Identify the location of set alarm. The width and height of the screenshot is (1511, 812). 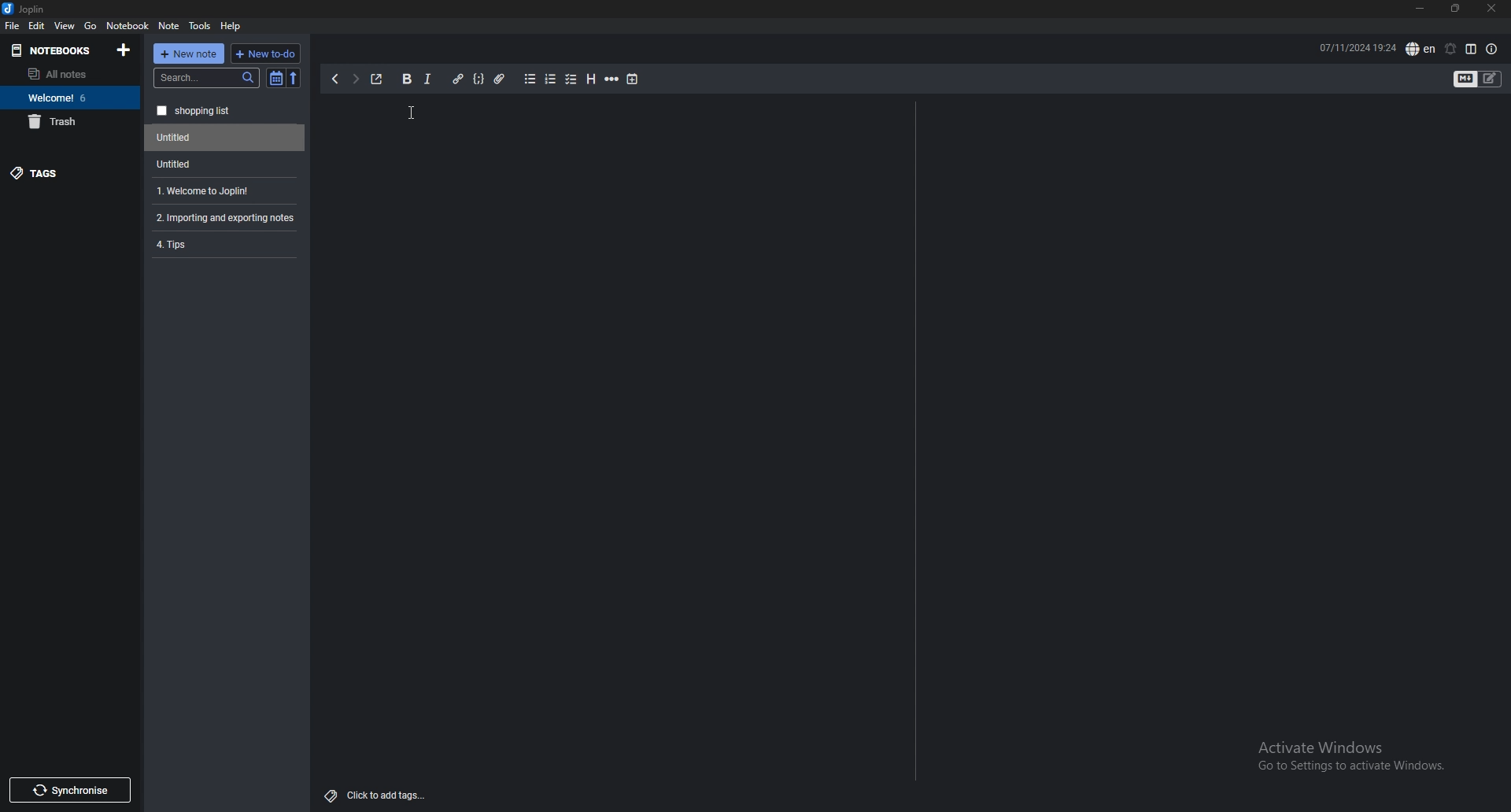
(1450, 49).